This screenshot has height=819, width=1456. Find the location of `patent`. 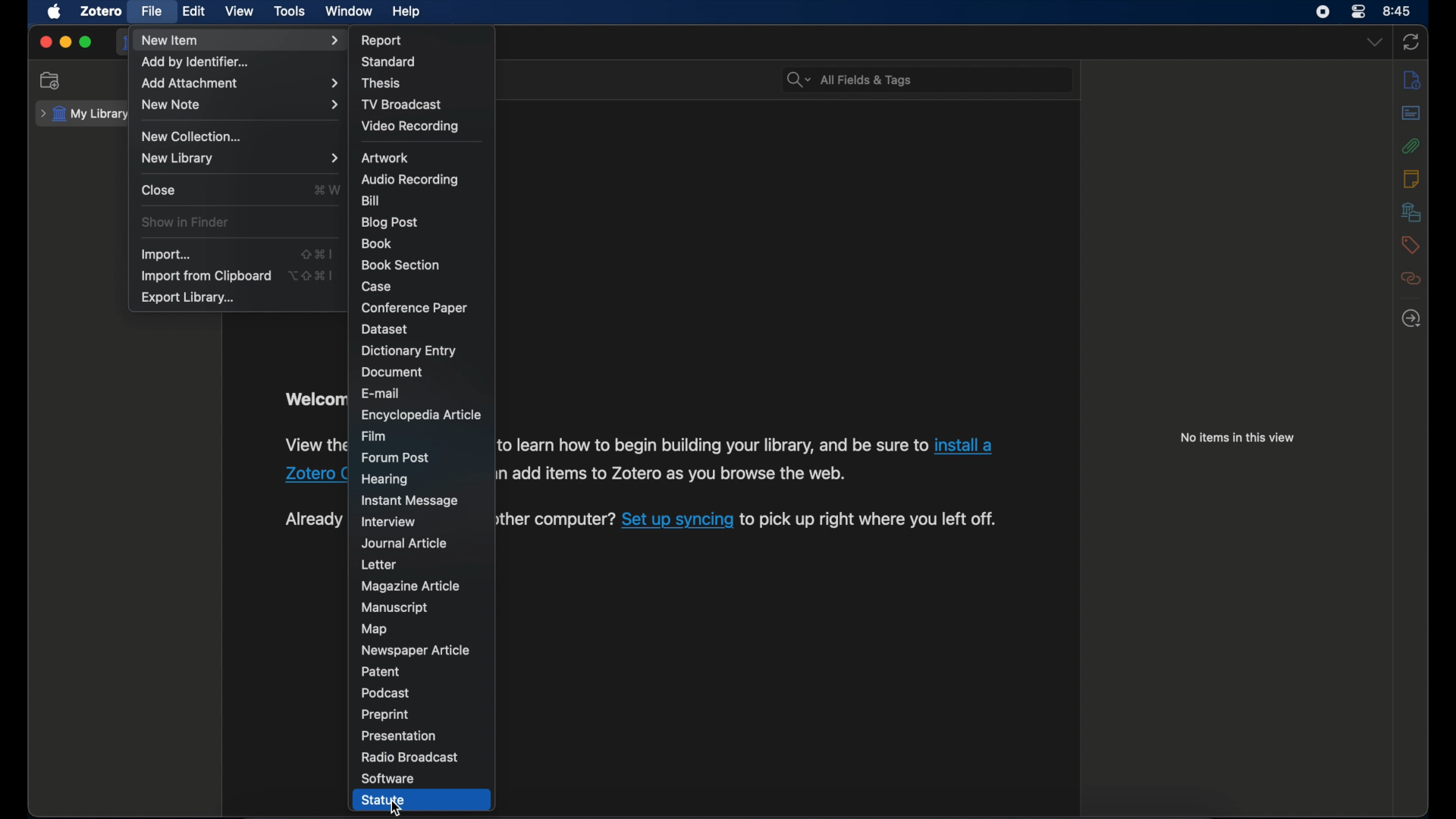

patent is located at coordinates (382, 670).